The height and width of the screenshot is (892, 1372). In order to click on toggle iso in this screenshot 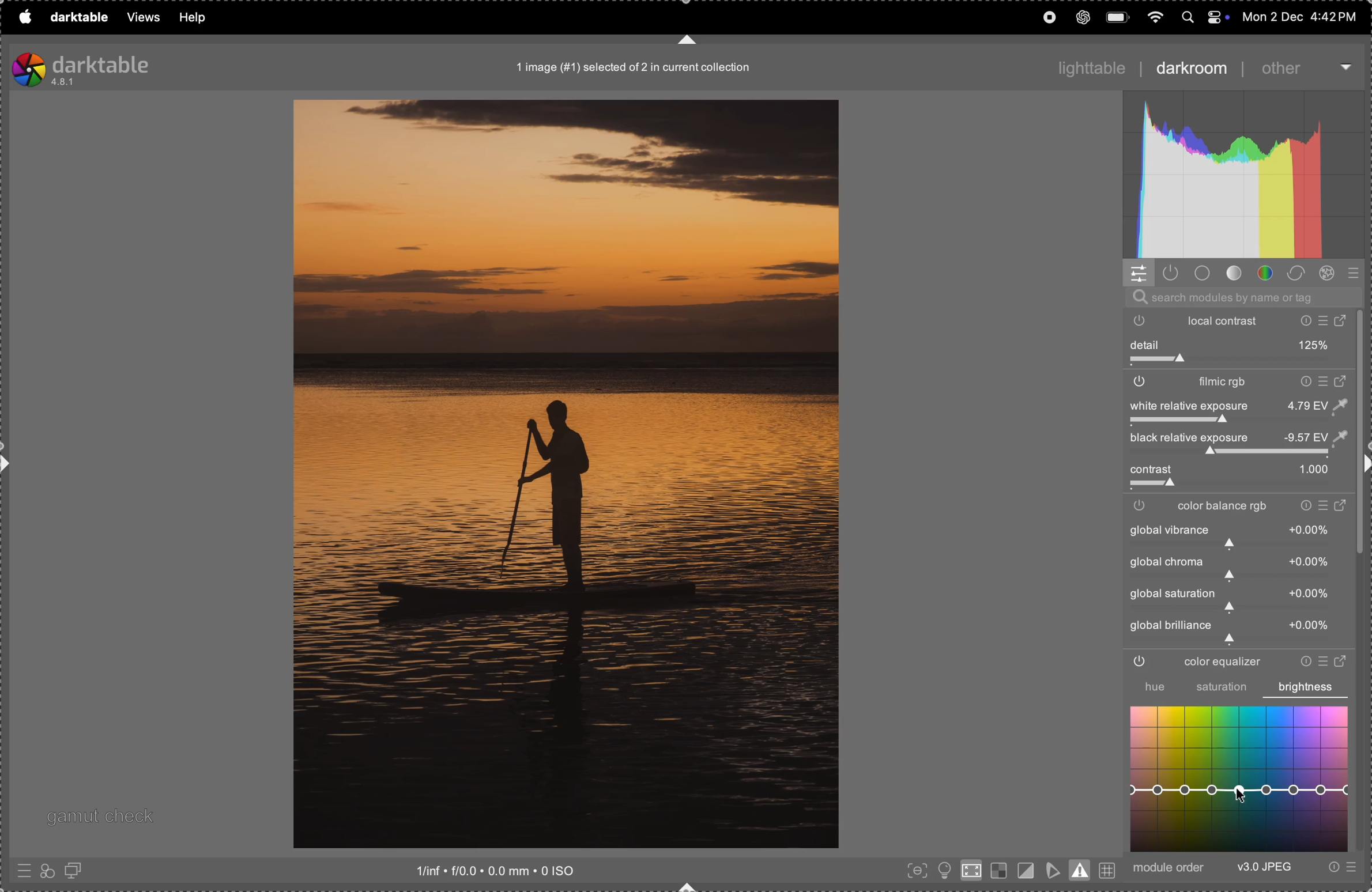, I will do `click(943, 870)`.